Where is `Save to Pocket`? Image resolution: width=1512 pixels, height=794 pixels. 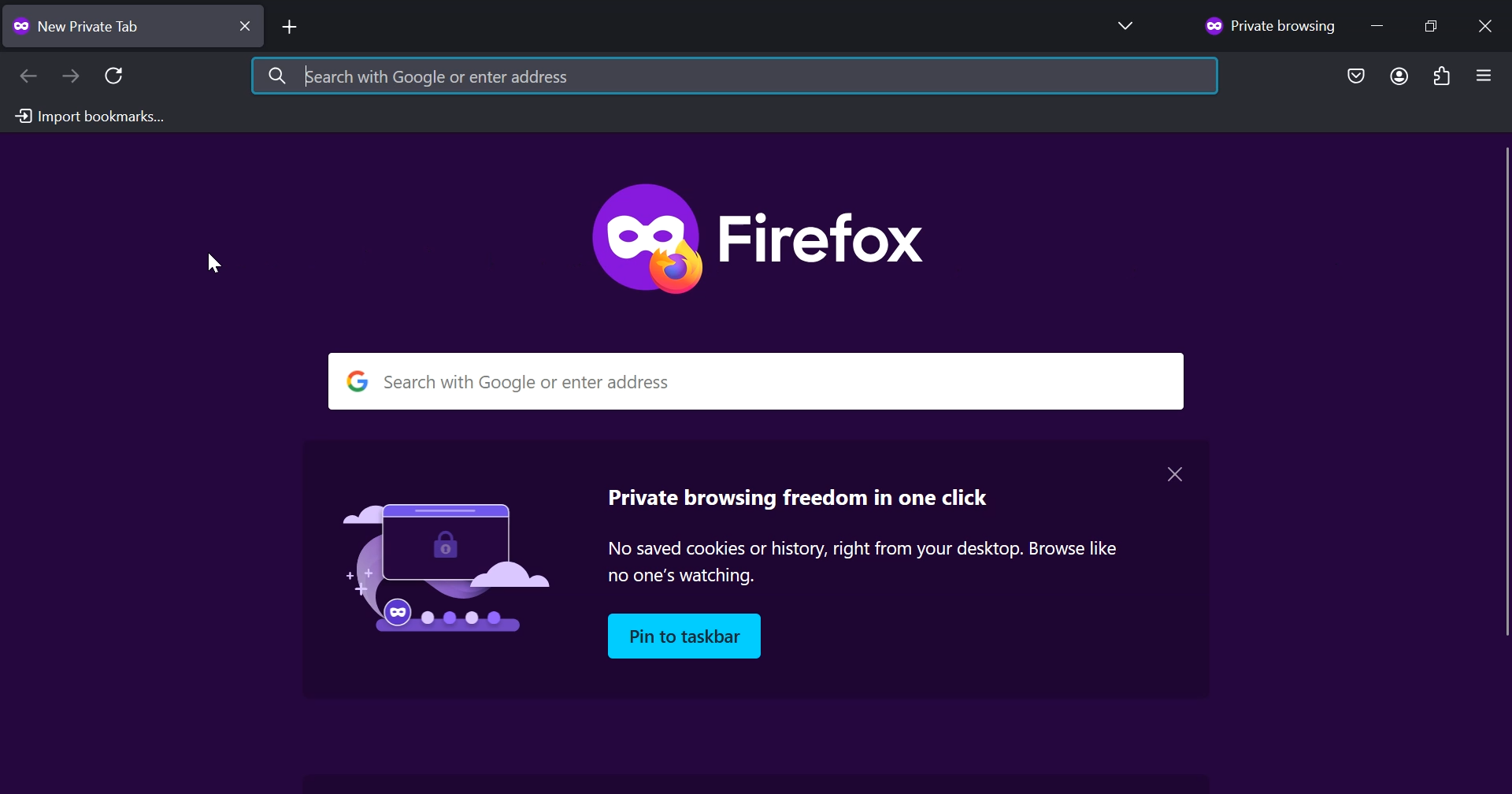
Save to Pocket is located at coordinates (1357, 76).